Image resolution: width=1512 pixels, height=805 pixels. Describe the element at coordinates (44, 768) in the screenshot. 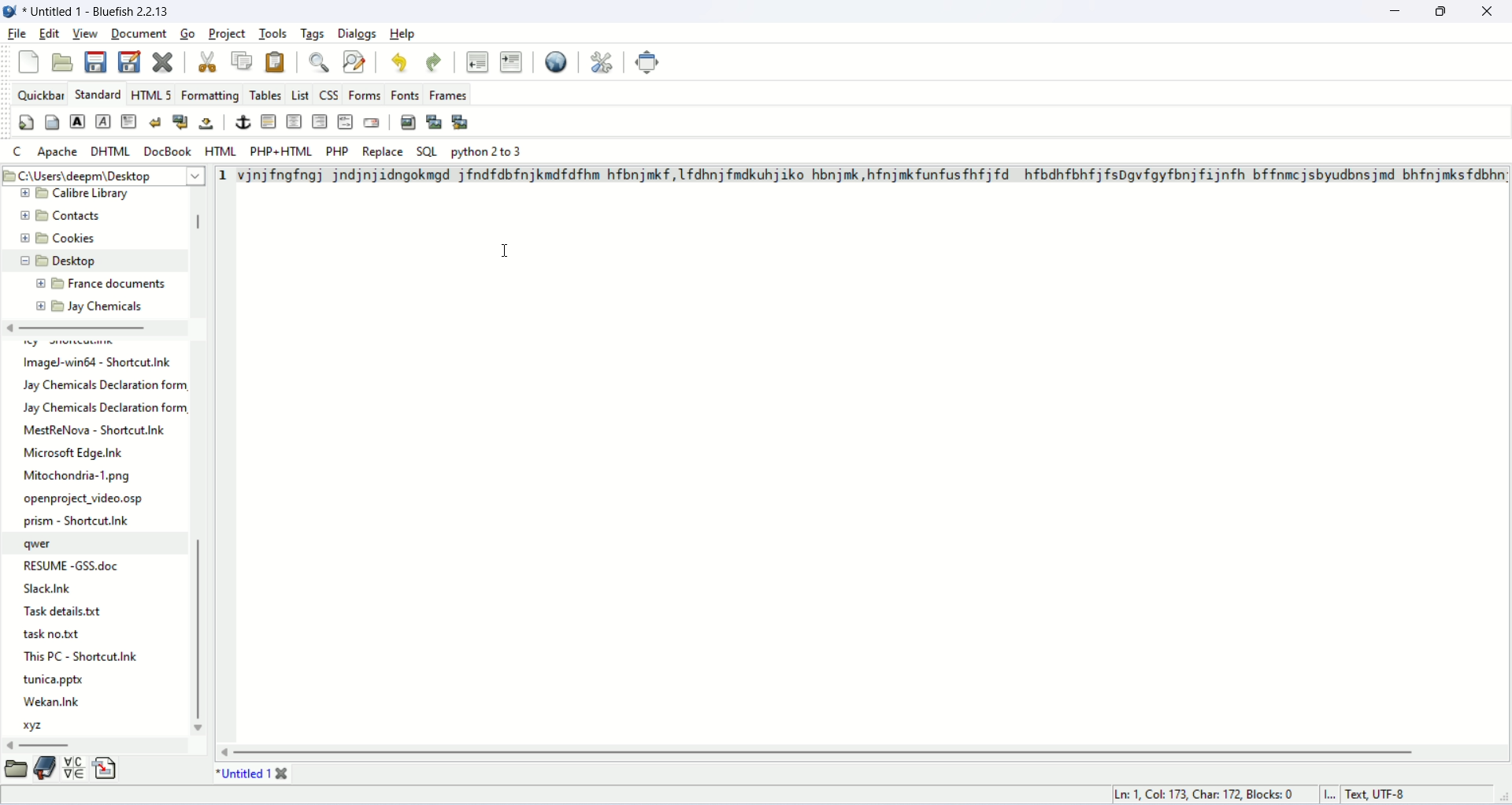

I see `bookmark` at that location.